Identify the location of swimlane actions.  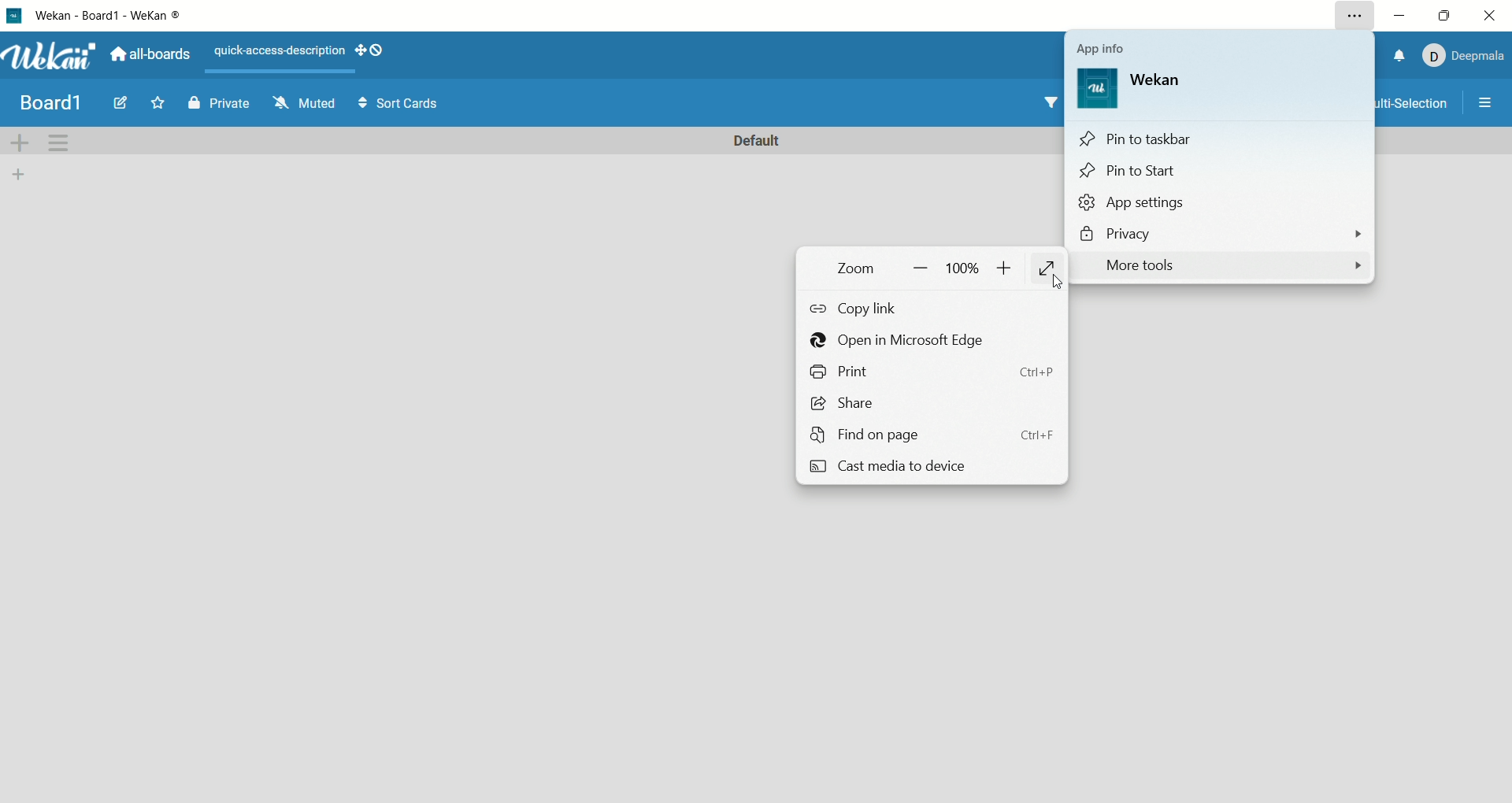
(59, 144).